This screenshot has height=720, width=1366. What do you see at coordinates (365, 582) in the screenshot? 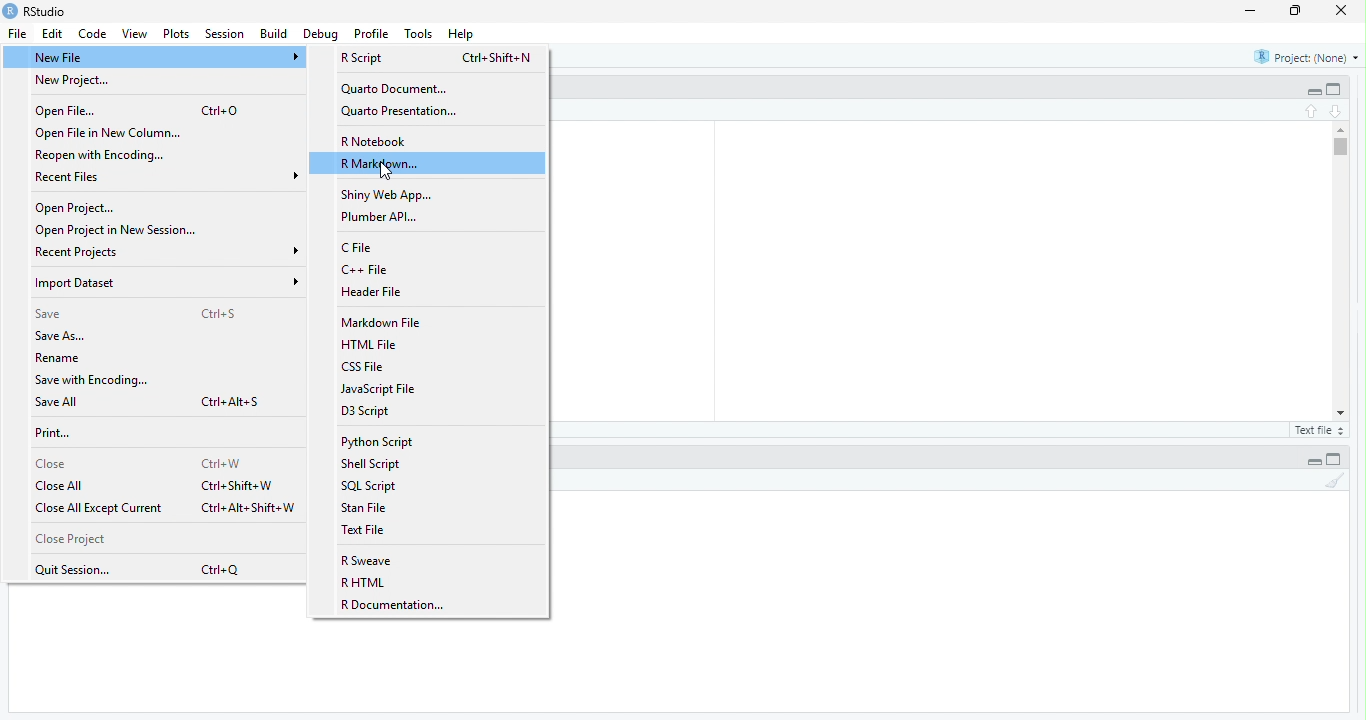
I see `R HTML` at bounding box center [365, 582].